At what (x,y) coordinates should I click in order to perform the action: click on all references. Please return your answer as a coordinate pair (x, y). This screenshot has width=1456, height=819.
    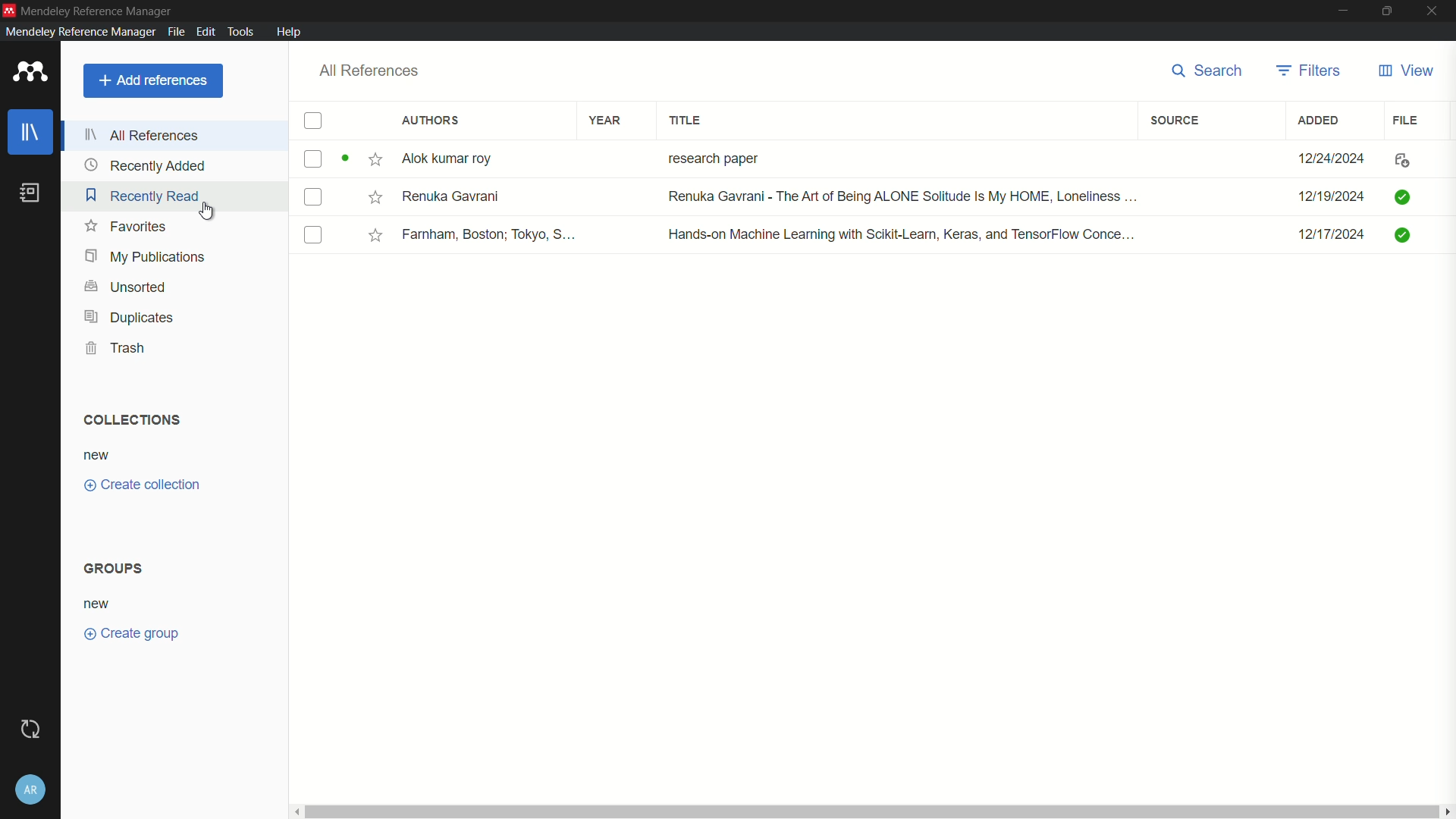
    Looking at the image, I should click on (140, 136).